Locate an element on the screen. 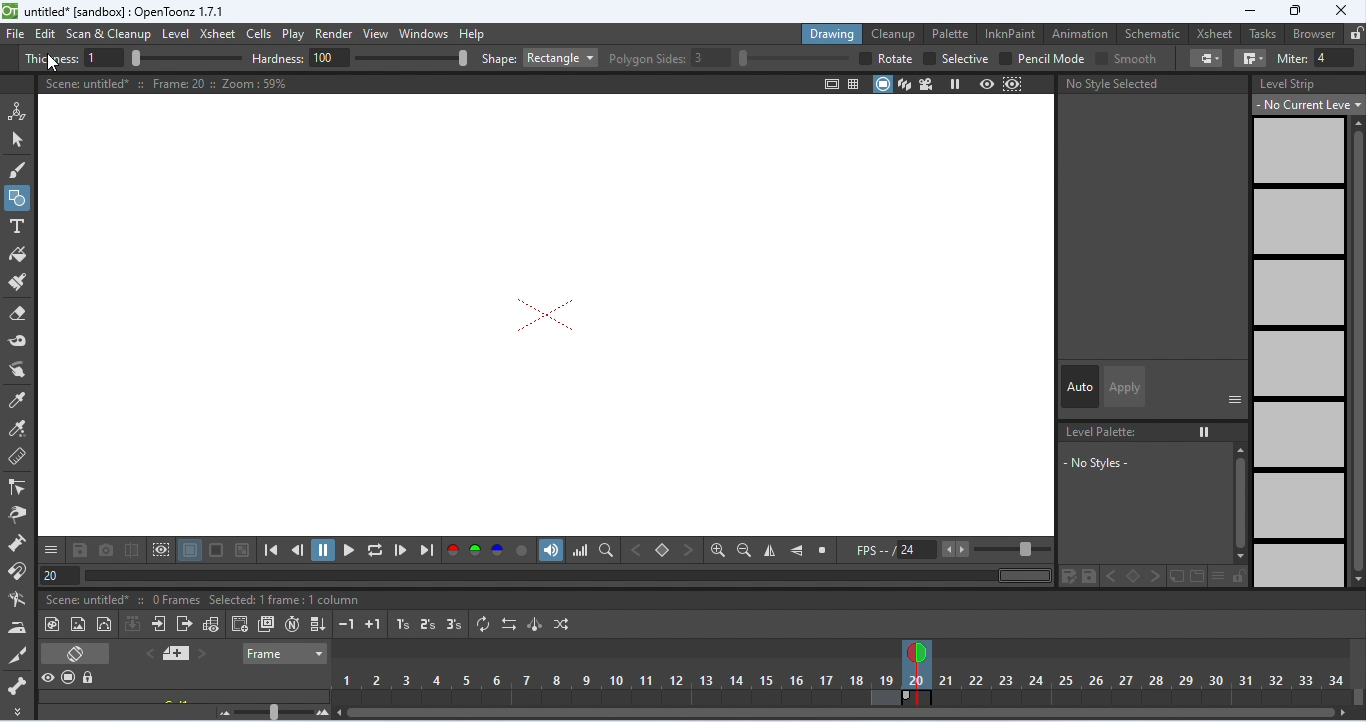 The image size is (1366, 722). horizontal scroll bar is located at coordinates (1019, 575).